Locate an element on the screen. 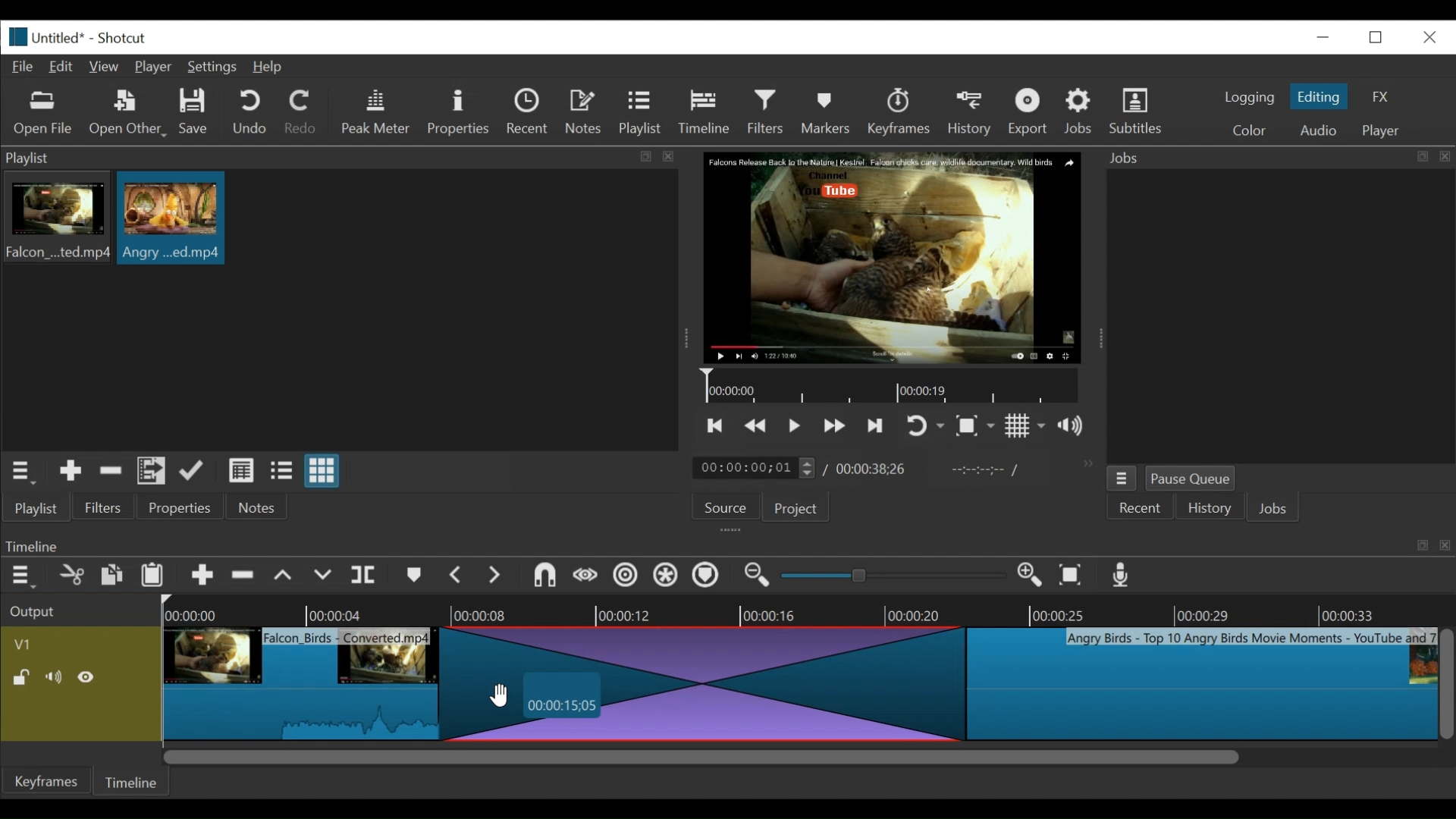 The height and width of the screenshot is (819, 1456). copy is located at coordinates (113, 577).